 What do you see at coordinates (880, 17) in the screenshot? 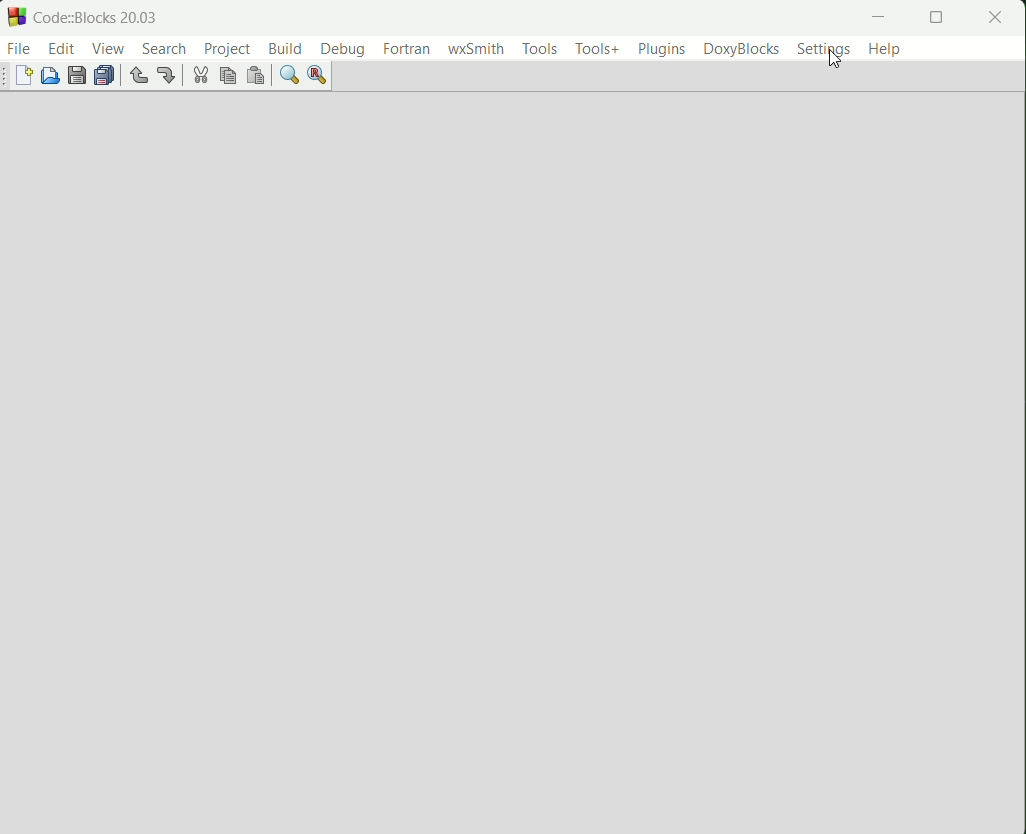
I see `minimize` at bounding box center [880, 17].